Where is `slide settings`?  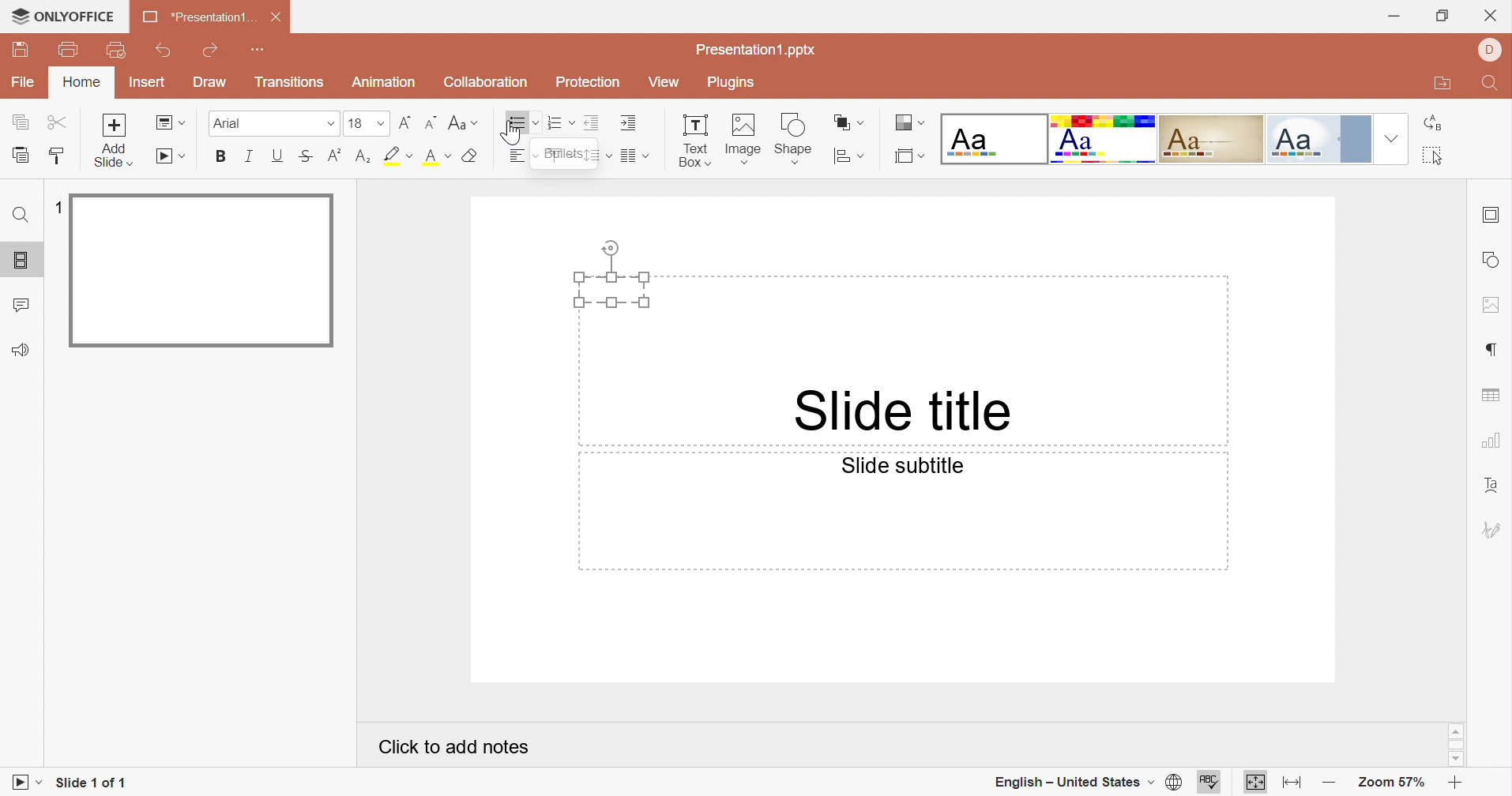 slide settings is located at coordinates (1493, 213).